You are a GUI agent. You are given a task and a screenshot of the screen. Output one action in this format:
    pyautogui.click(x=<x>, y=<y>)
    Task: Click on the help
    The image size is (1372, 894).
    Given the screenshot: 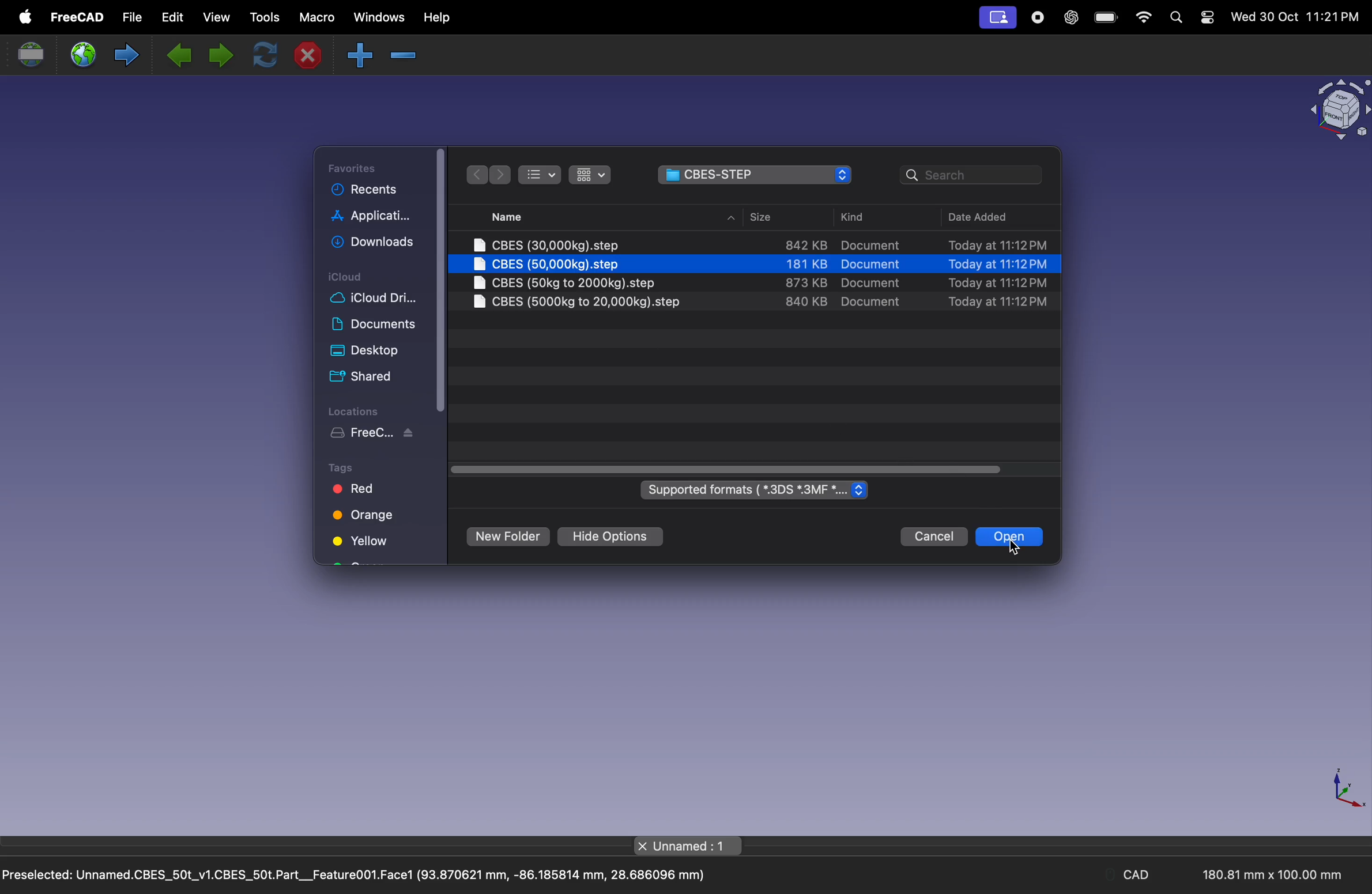 What is the action you would take?
    pyautogui.click(x=435, y=18)
    